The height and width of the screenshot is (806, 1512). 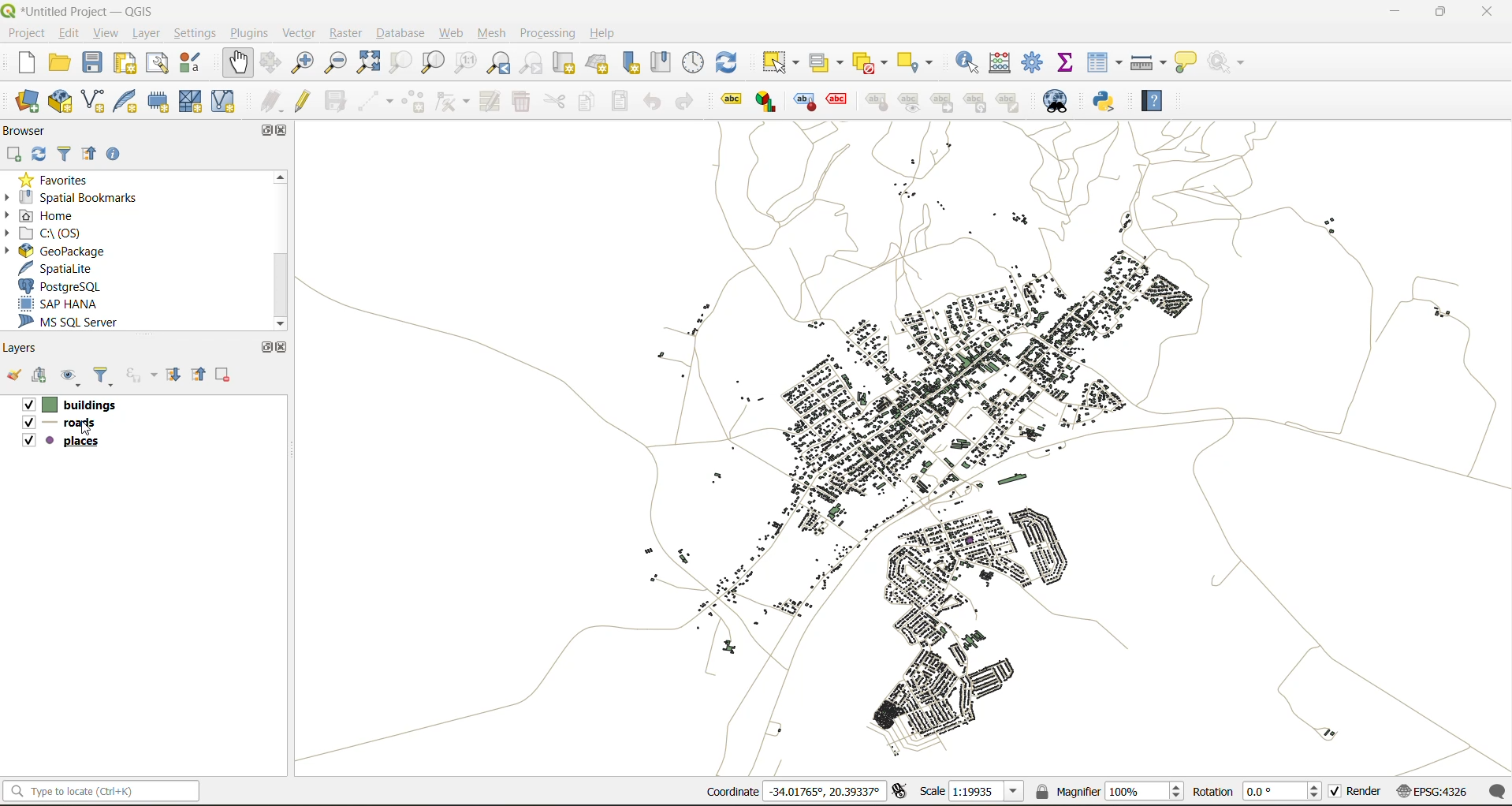 I want to click on new map view, so click(x=564, y=65).